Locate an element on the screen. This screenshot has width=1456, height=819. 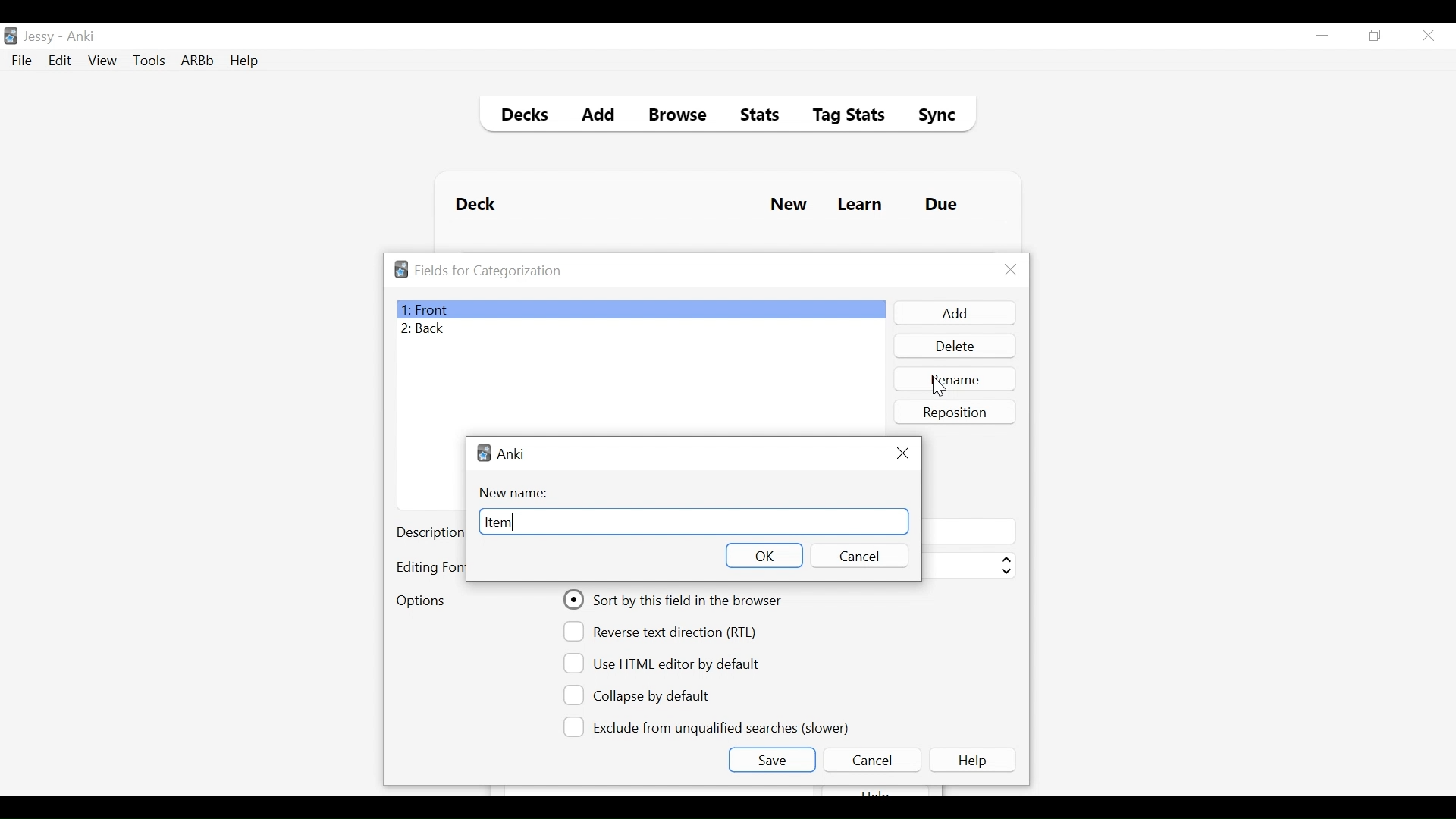
(un)select Sort by this field in the browser is located at coordinates (675, 600).